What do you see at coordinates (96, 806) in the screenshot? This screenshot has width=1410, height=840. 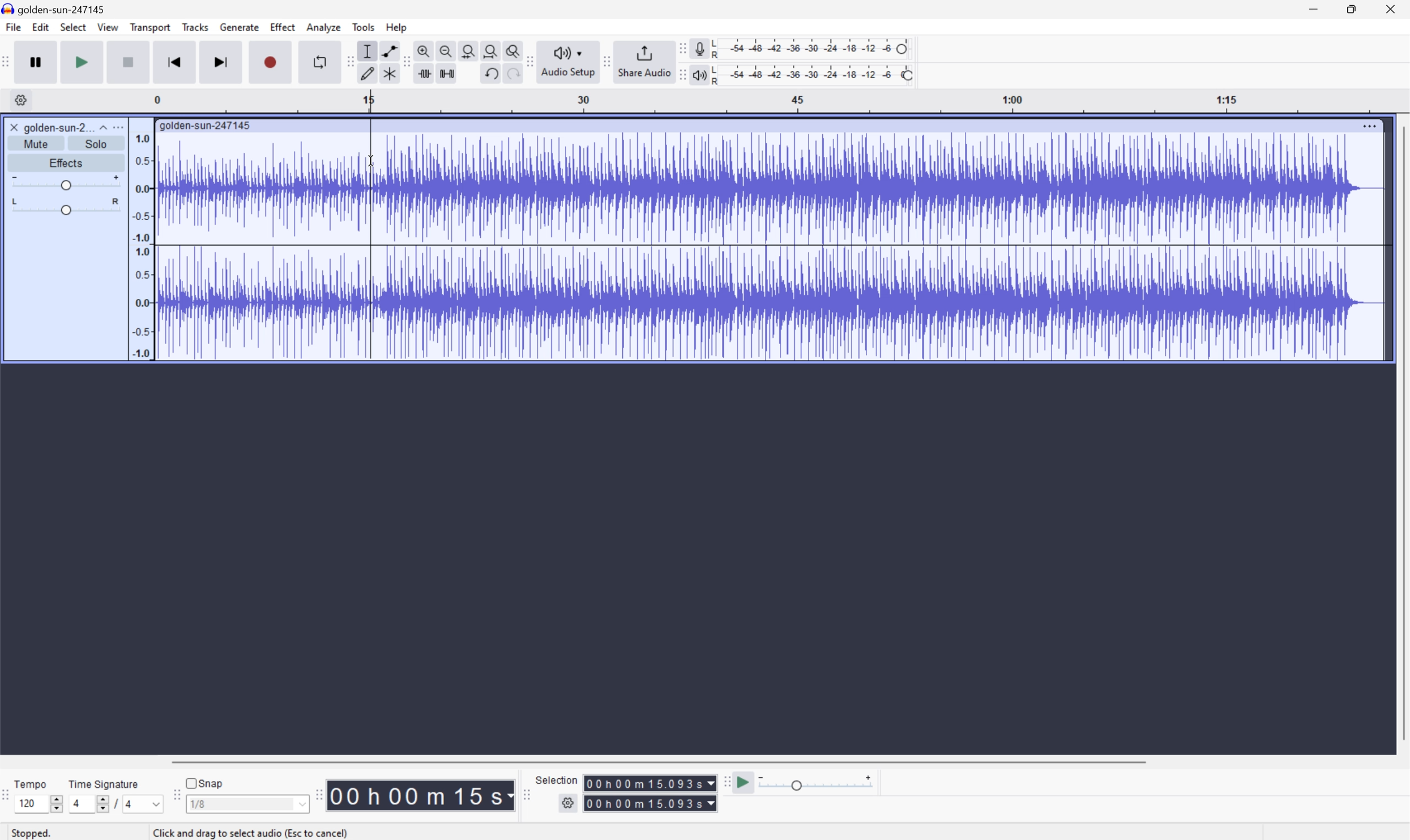 I see `Slider` at bounding box center [96, 806].